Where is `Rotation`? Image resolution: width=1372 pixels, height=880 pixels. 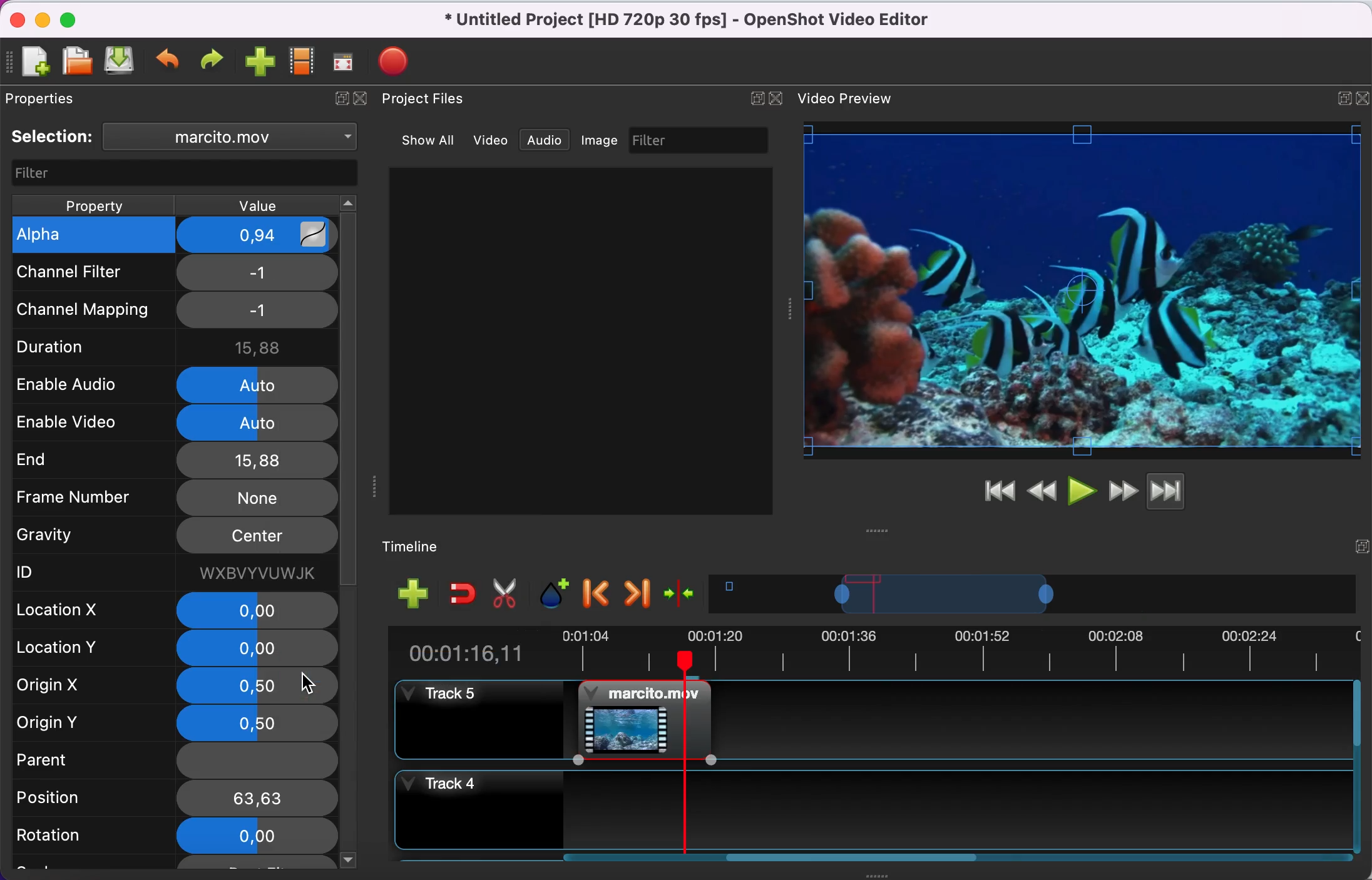
Rotation is located at coordinates (76, 837).